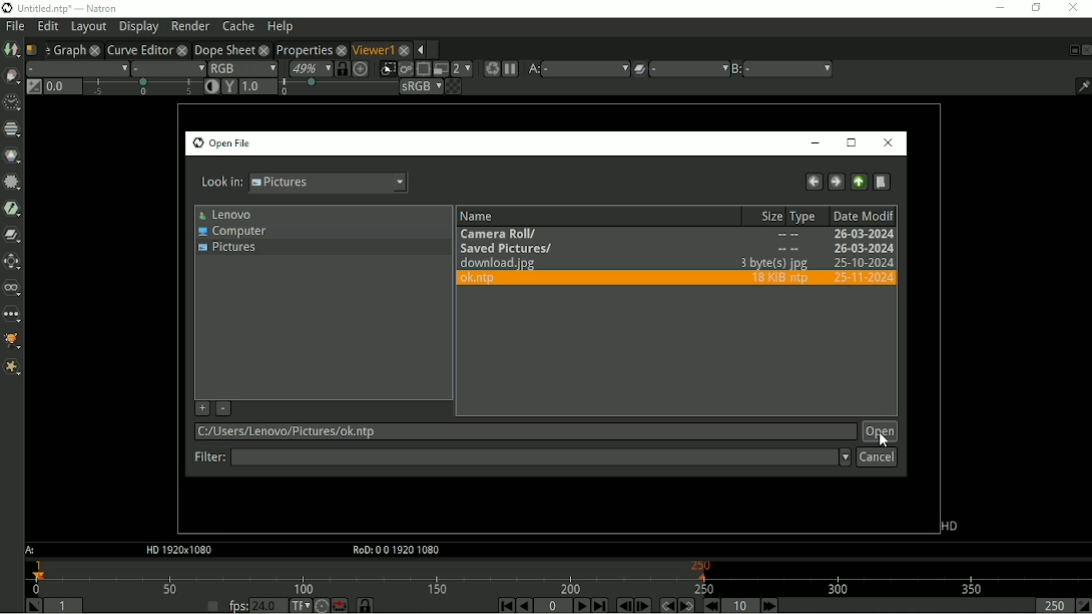 This screenshot has width=1092, height=614. I want to click on Transform, so click(14, 261).